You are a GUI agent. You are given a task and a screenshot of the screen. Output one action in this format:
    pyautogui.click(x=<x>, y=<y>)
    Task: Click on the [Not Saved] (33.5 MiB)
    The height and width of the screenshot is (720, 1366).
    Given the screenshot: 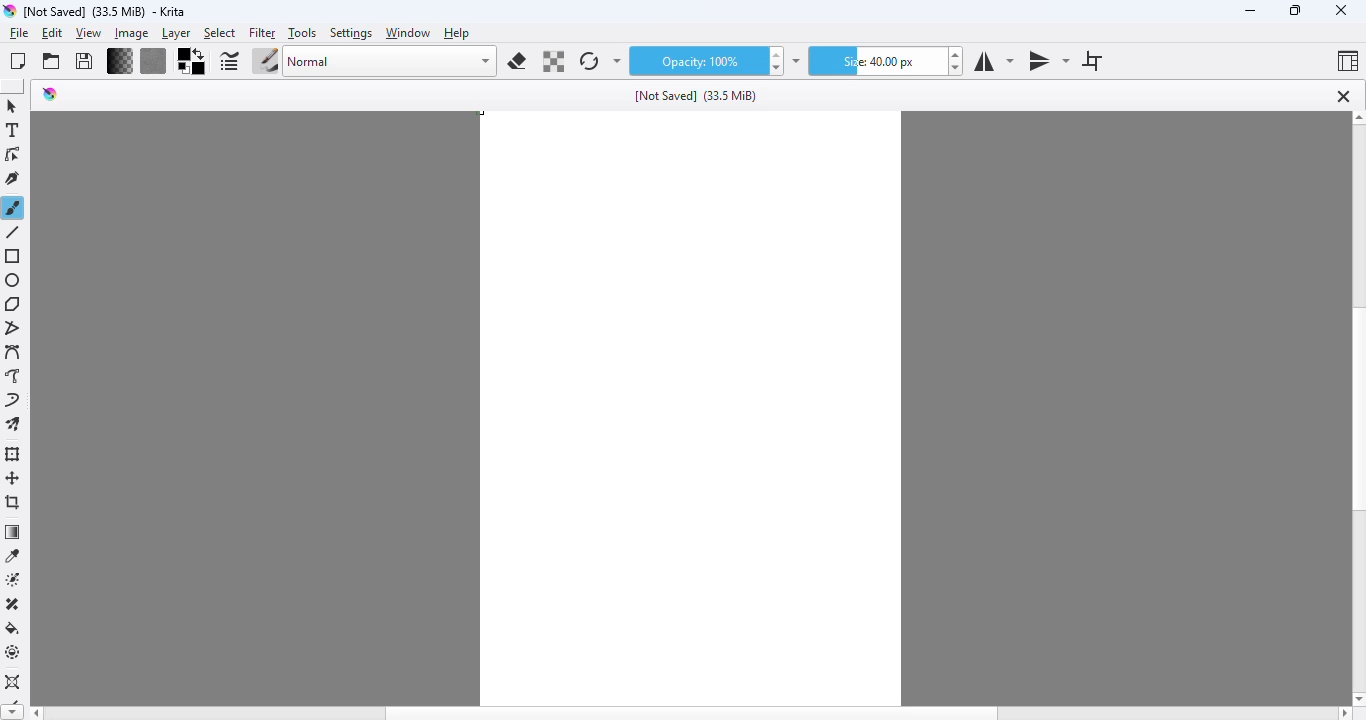 What is the action you would take?
    pyautogui.click(x=692, y=98)
    